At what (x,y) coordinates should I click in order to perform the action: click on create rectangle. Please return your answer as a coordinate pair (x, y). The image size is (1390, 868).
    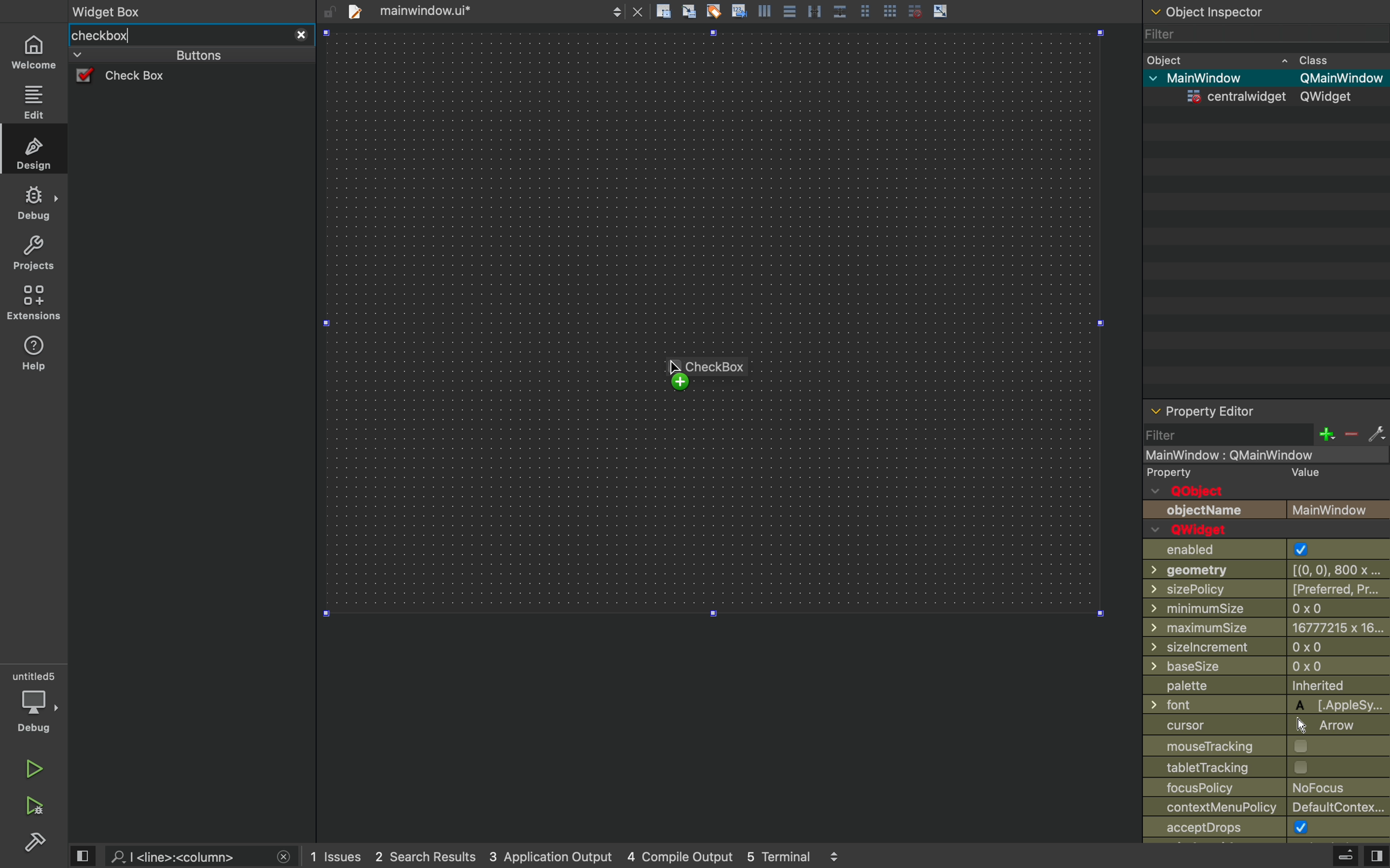
    Looking at the image, I should click on (663, 11).